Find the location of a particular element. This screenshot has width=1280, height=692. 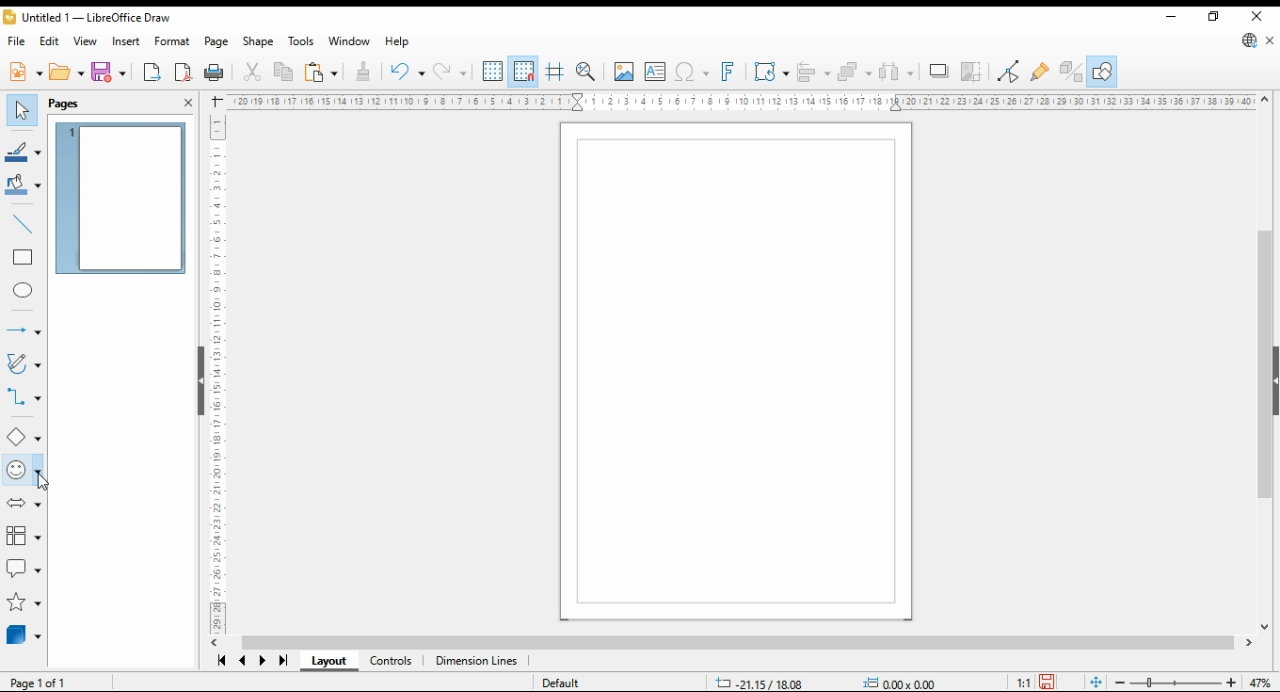

toggle extrusions is located at coordinates (1070, 72).